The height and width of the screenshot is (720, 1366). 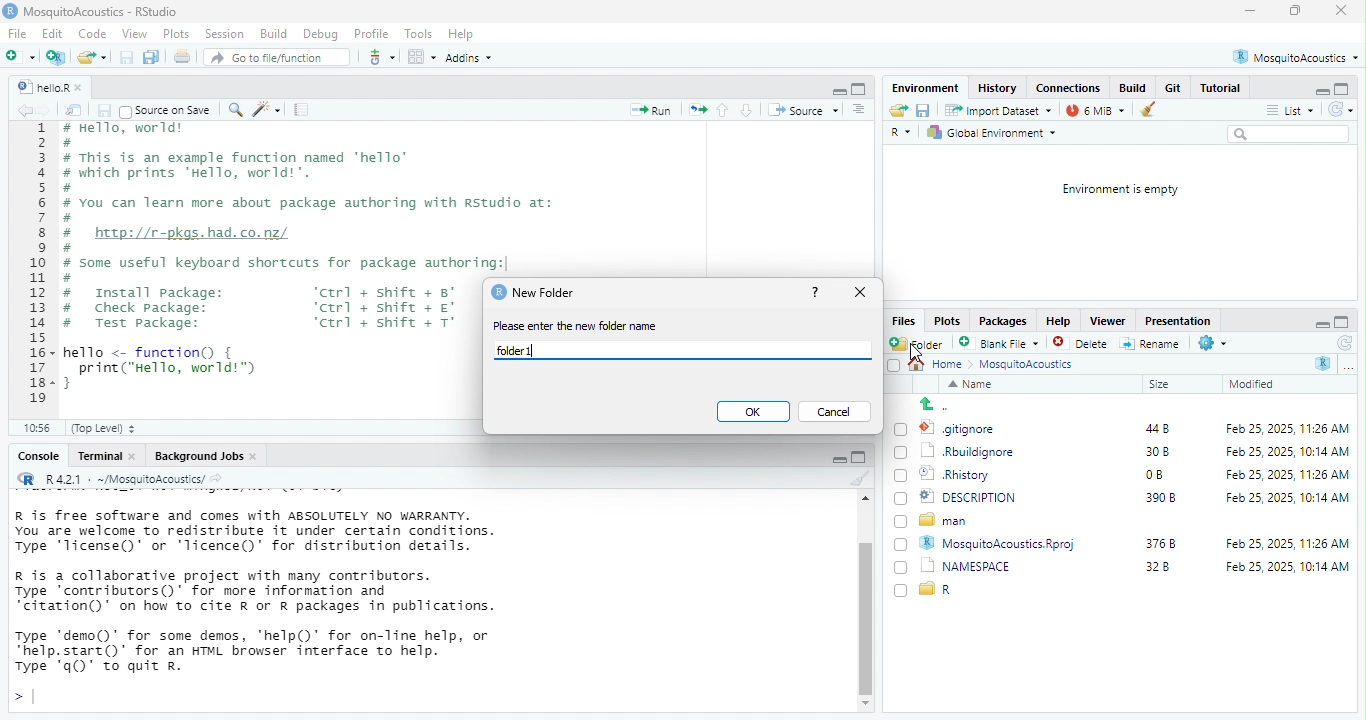 I want to click on save current document, so click(x=105, y=110).